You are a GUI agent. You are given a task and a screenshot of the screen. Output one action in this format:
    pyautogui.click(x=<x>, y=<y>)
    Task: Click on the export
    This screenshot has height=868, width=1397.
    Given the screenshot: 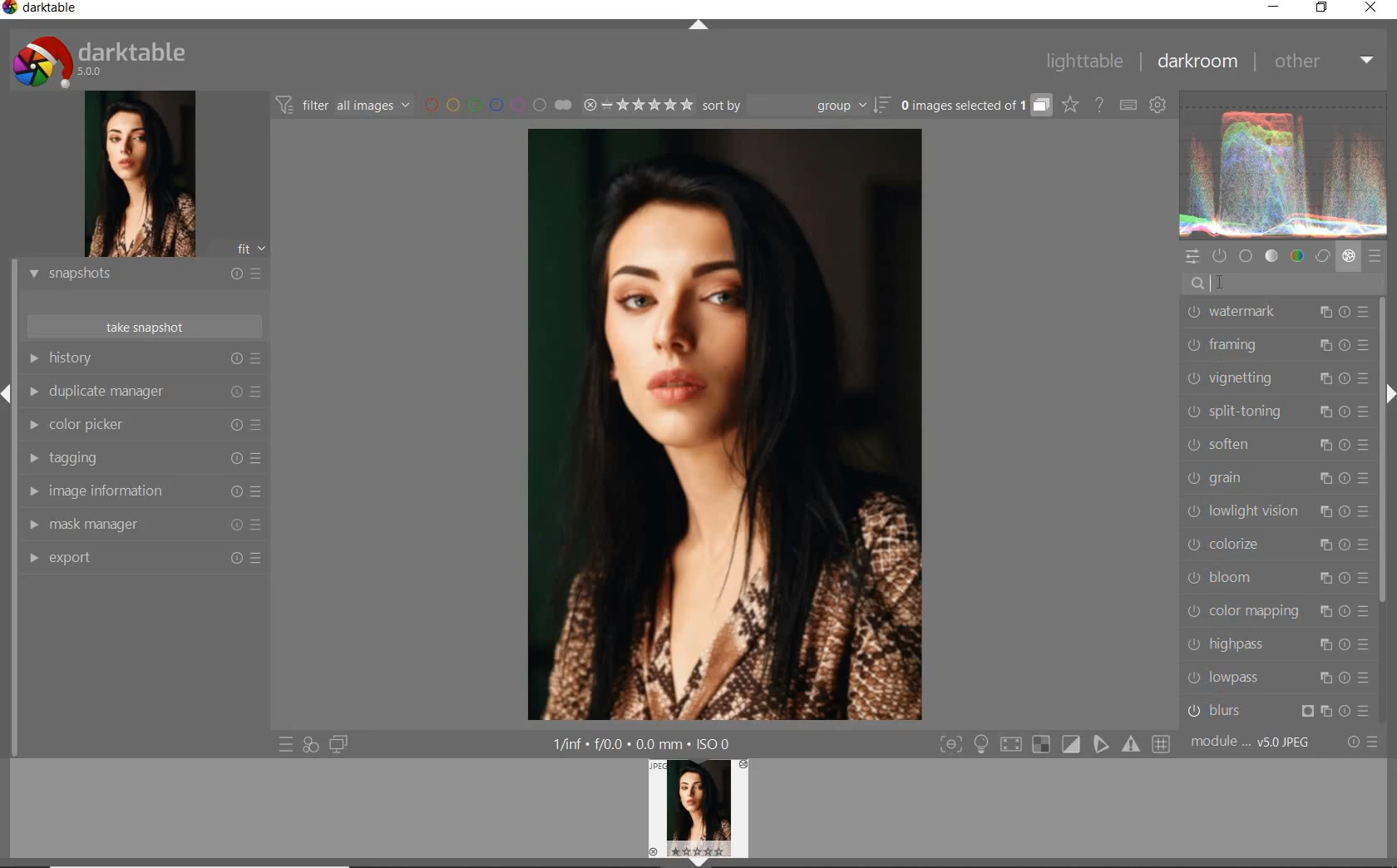 What is the action you would take?
    pyautogui.click(x=143, y=562)
    